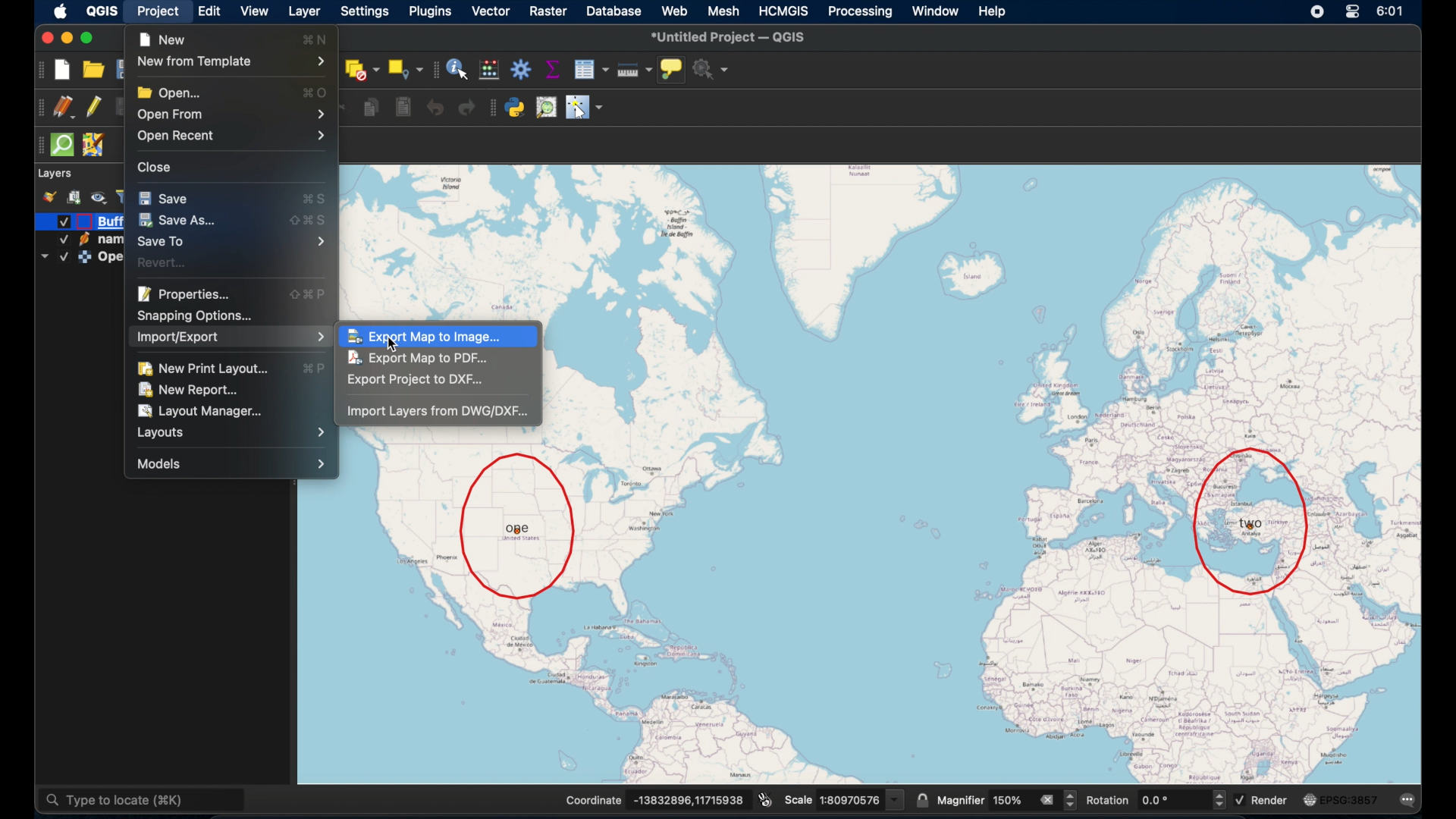 This screenshot has width=1456, height=819. What do you see at coordinates (1351, 800) in the screenshot?
I see `EPSG:3875` at bounding box center [1351, 800].